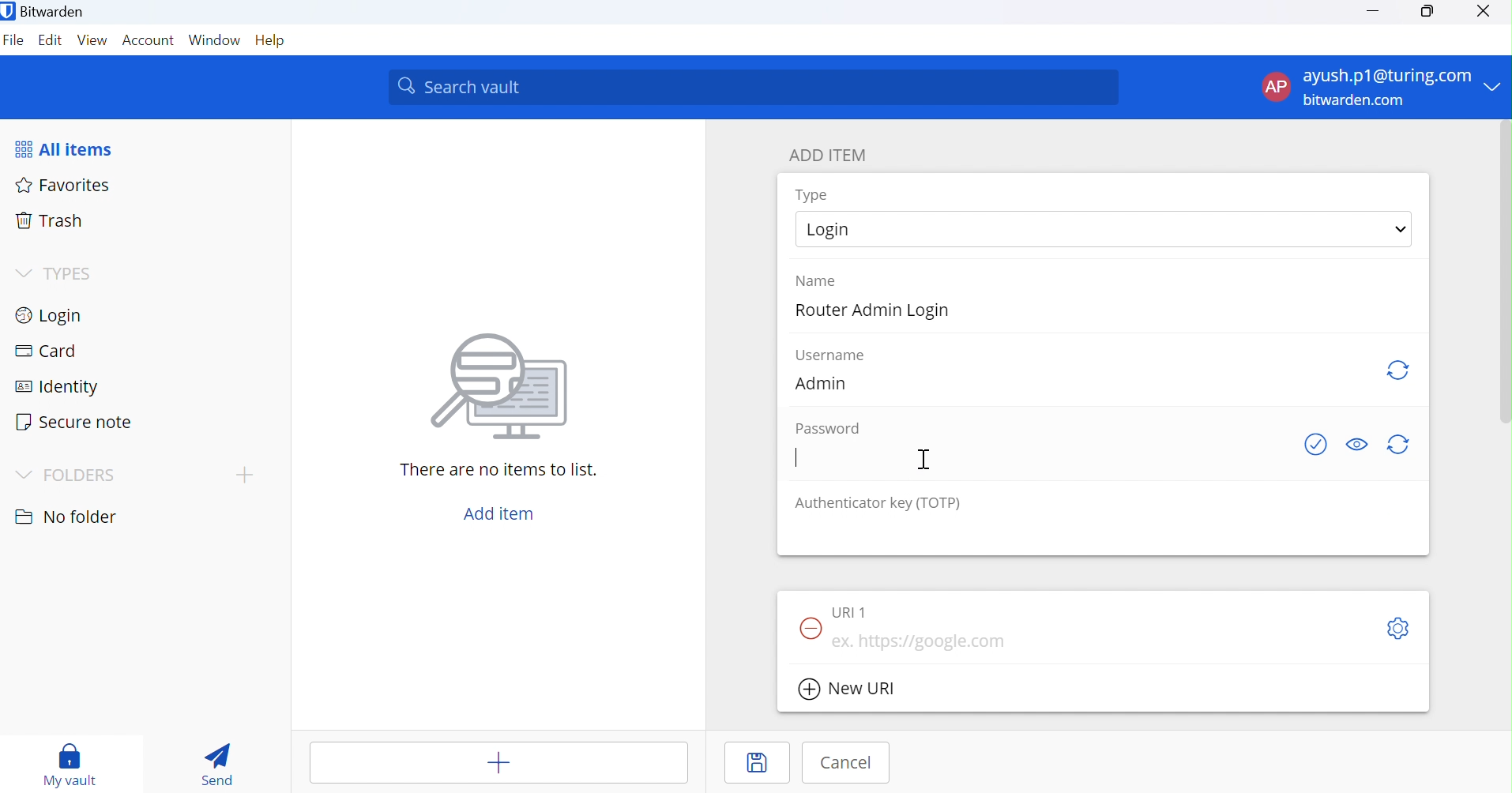  I want to click on Login, so click(55, 314).